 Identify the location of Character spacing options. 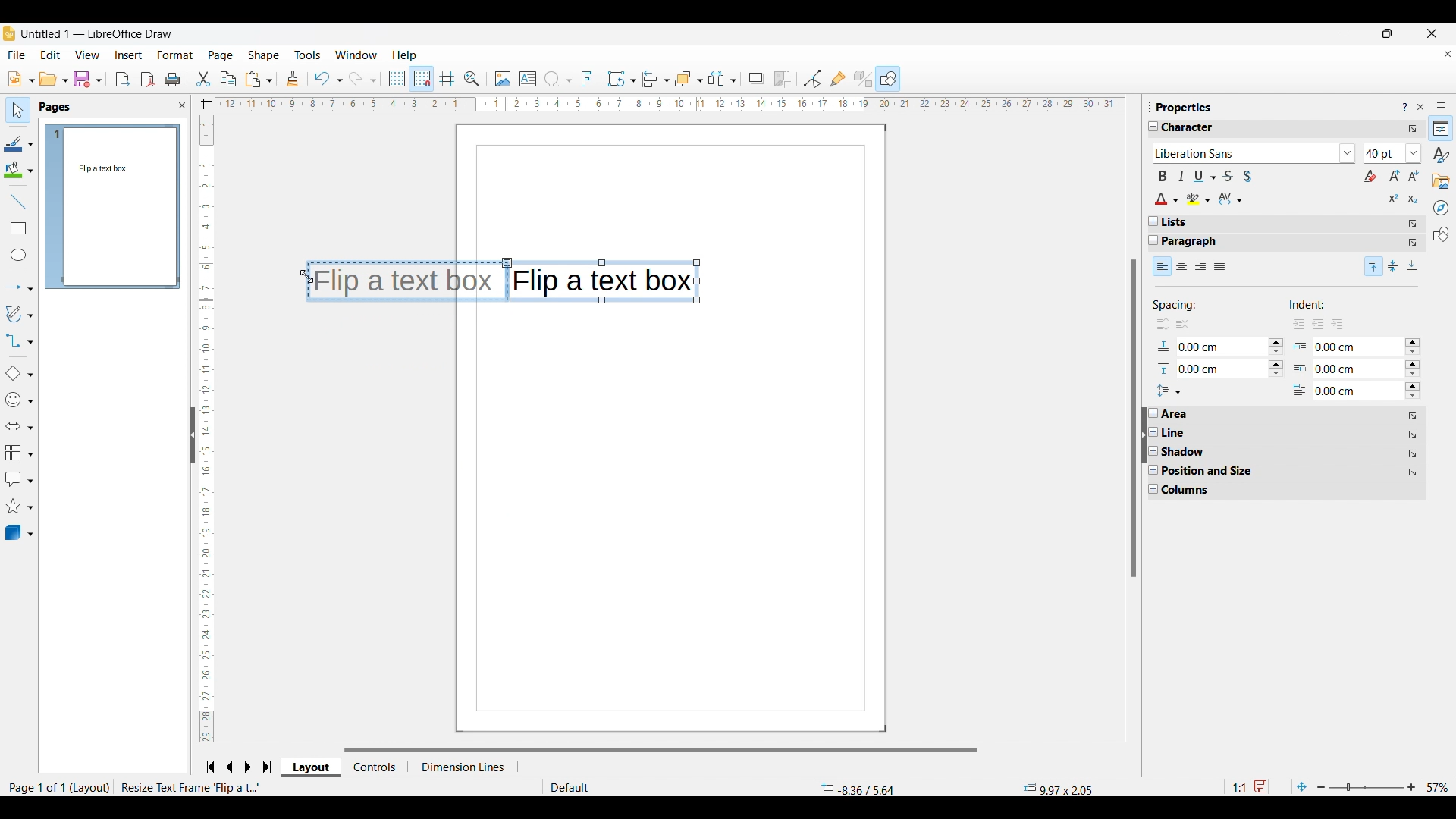
(1231, 199).